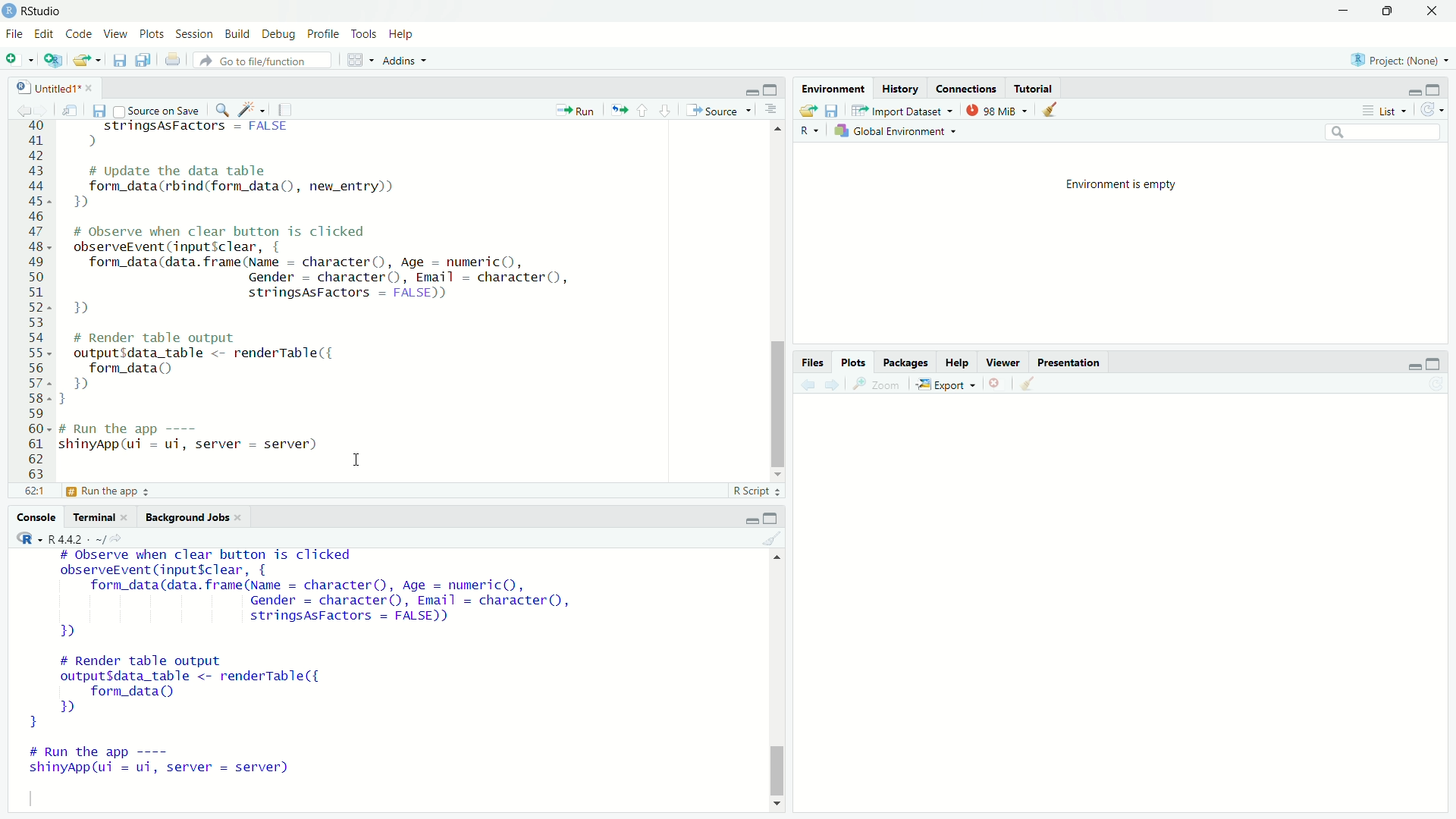 This screenshot has width=1456, height=819. I want to click on close, so click(1436, 11).